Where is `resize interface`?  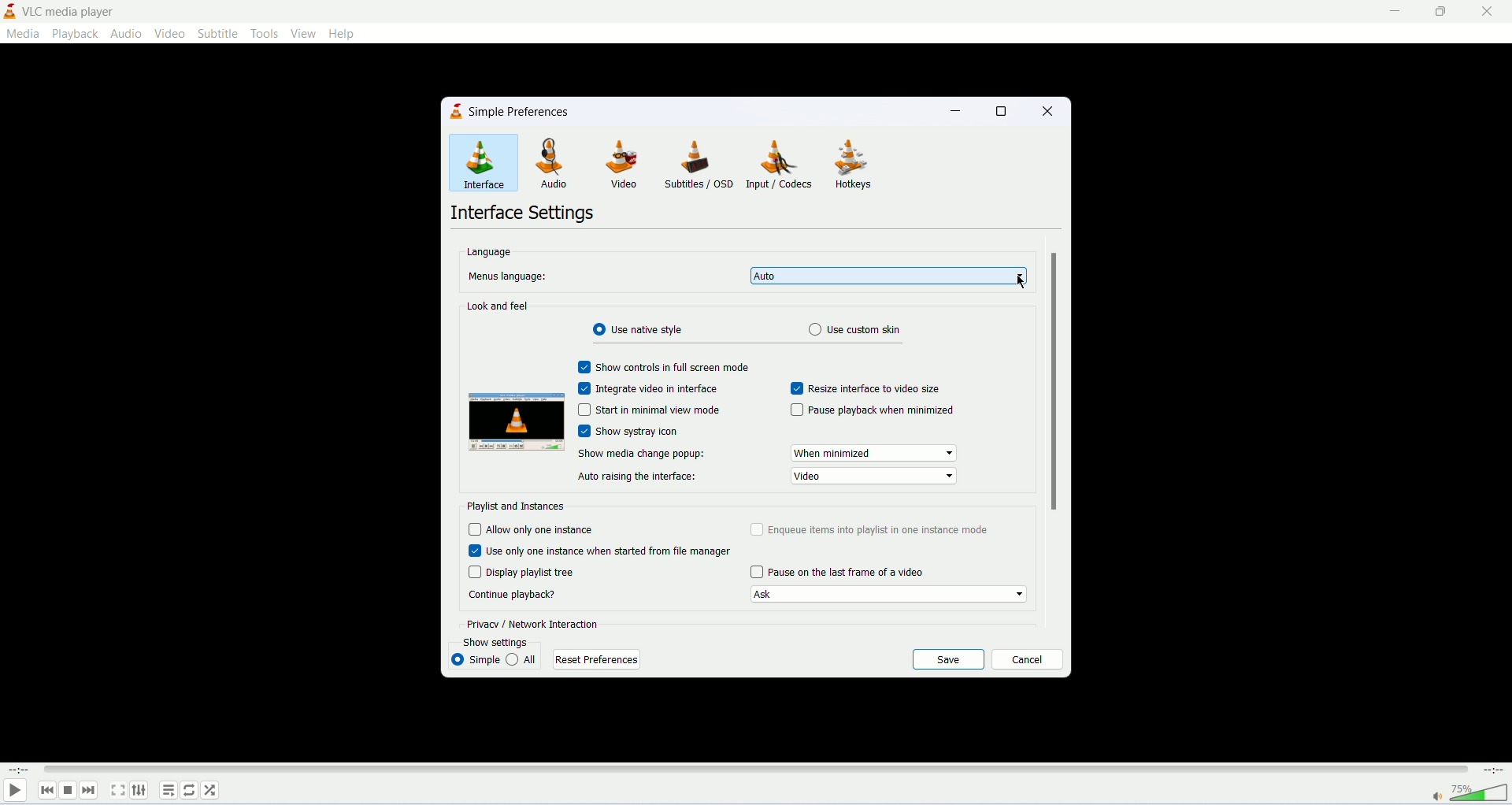
resize interface is located at coordinates (866, 388).